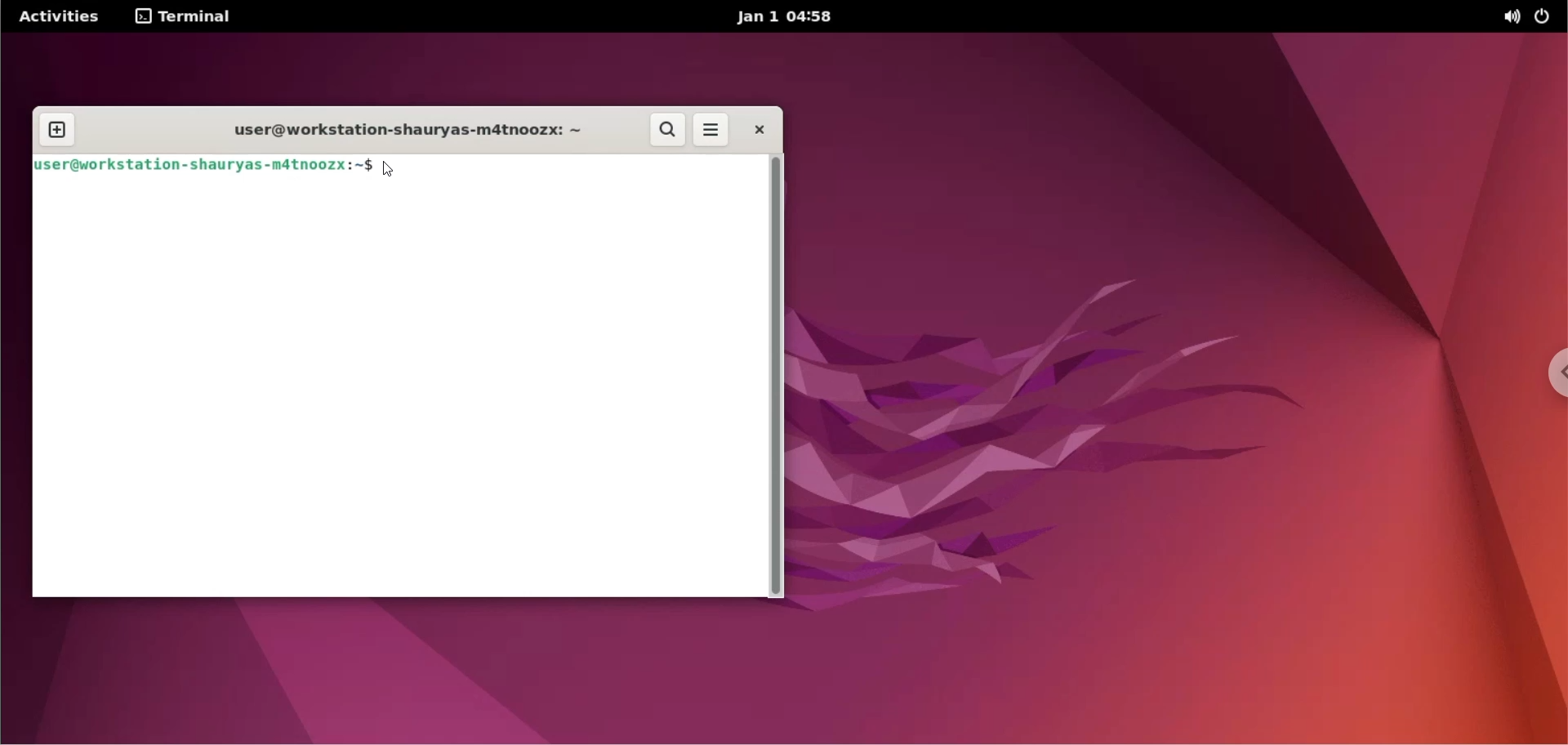 The image size is (1568, 745). What do you see at coordinates (788, 18) in the screenshot?
I see `Jan 1 04:58` at bounding box center [788, 18].